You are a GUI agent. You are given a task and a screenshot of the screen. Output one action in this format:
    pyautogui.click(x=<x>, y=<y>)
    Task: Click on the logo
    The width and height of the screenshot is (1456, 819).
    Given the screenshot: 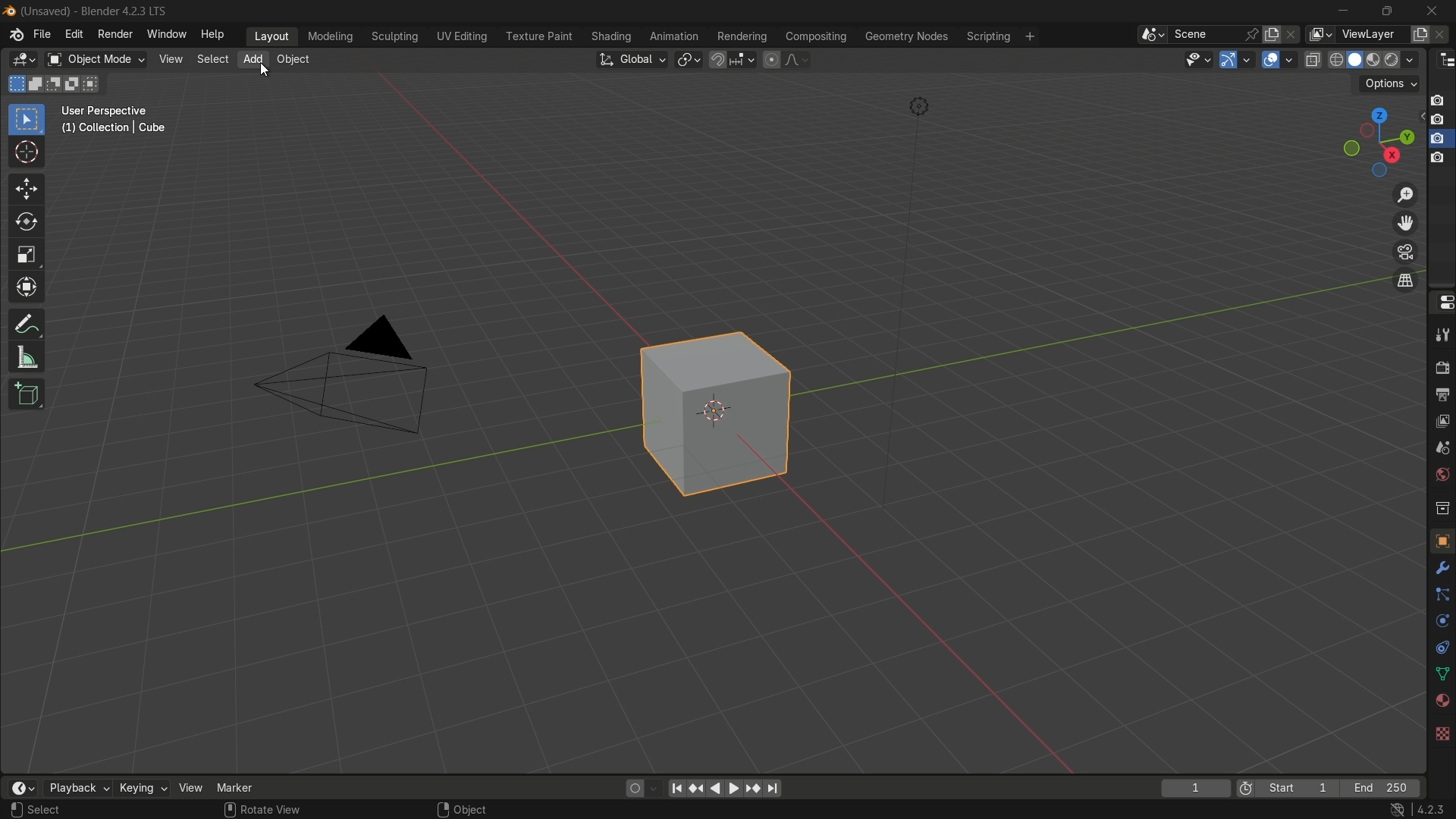 What is the action you would take?
    pyautogui.click(x=17, y=35)
    